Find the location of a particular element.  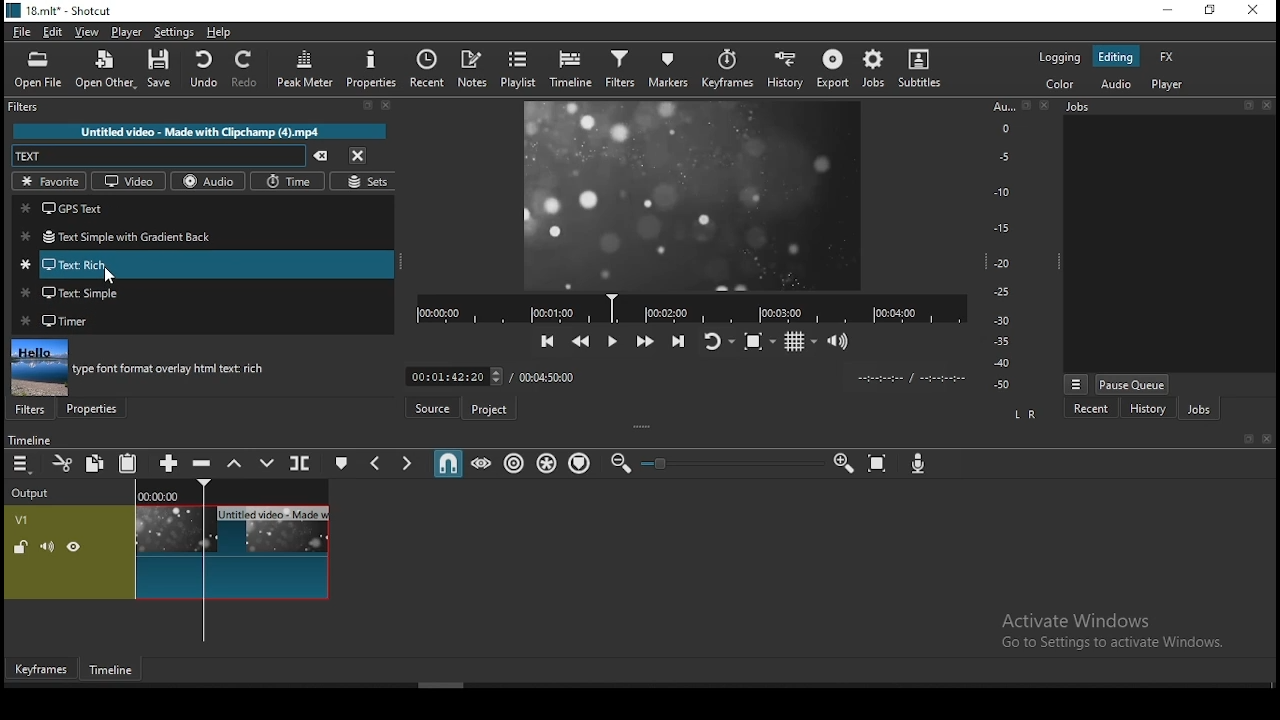

properties is located at coordinates (369, 69).